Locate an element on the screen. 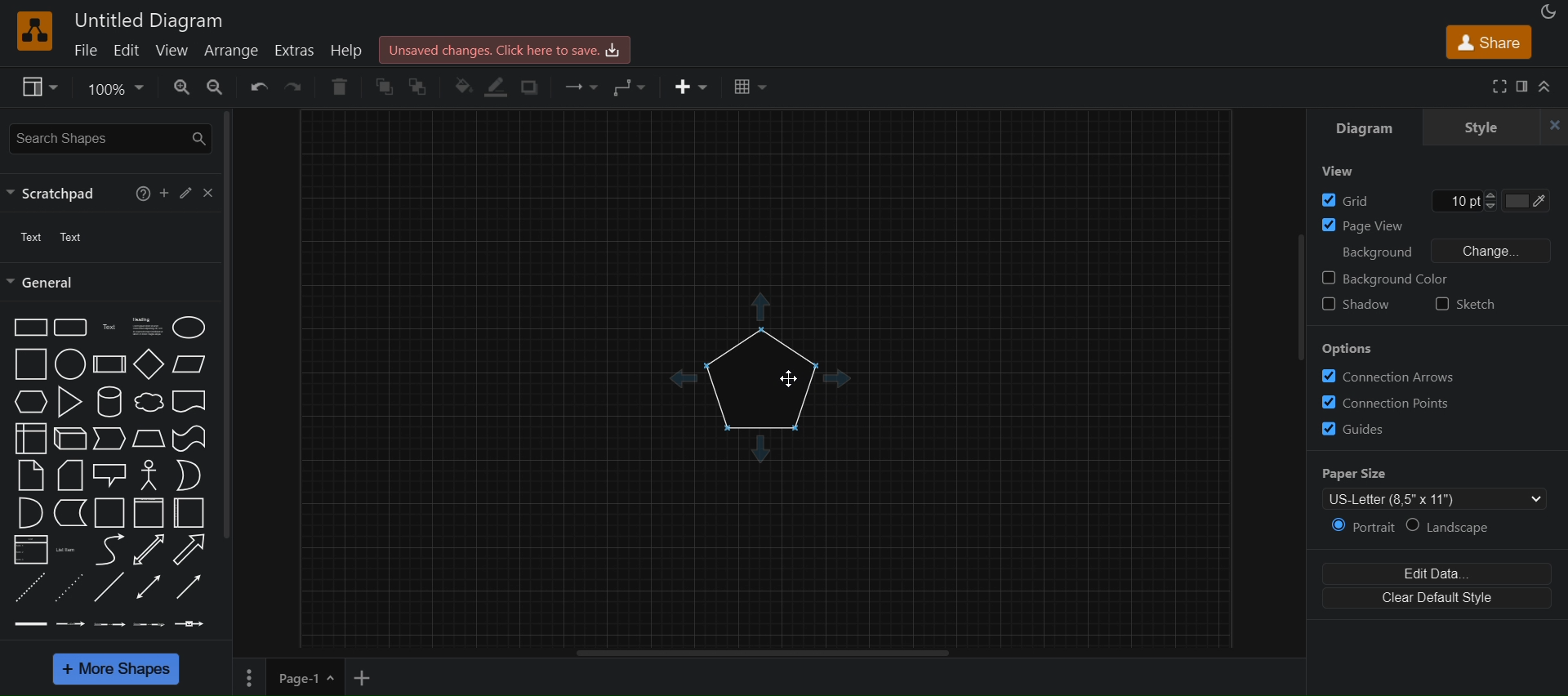 The width and height of the screenshot is (1568, 696). Note is located at coordinates (31, 476).